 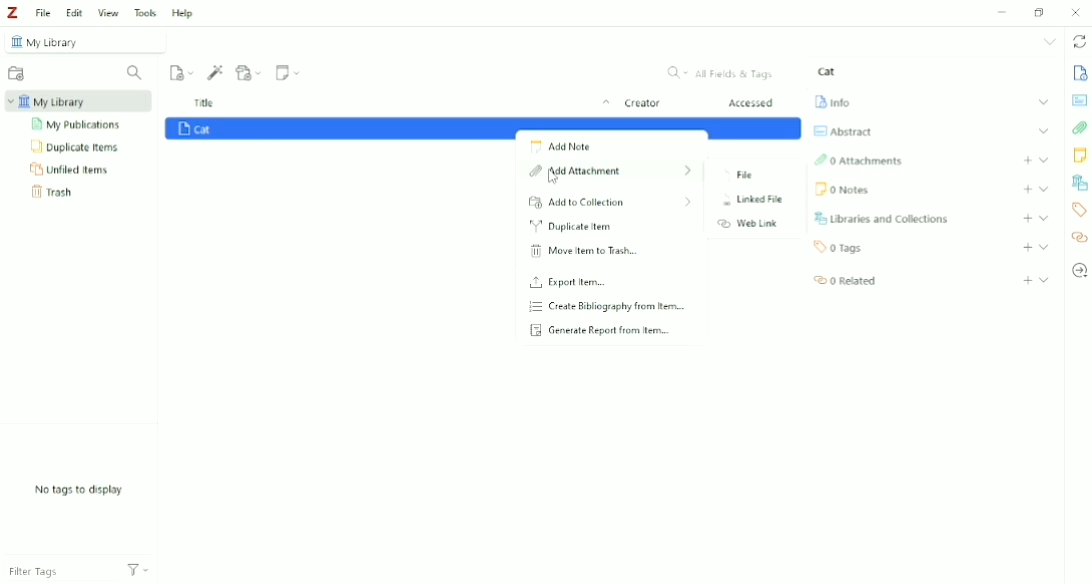 What do you see at coordinates (249, 72) in the screenshot?
I see `Add Attachment` at bounding box center [249, 72].